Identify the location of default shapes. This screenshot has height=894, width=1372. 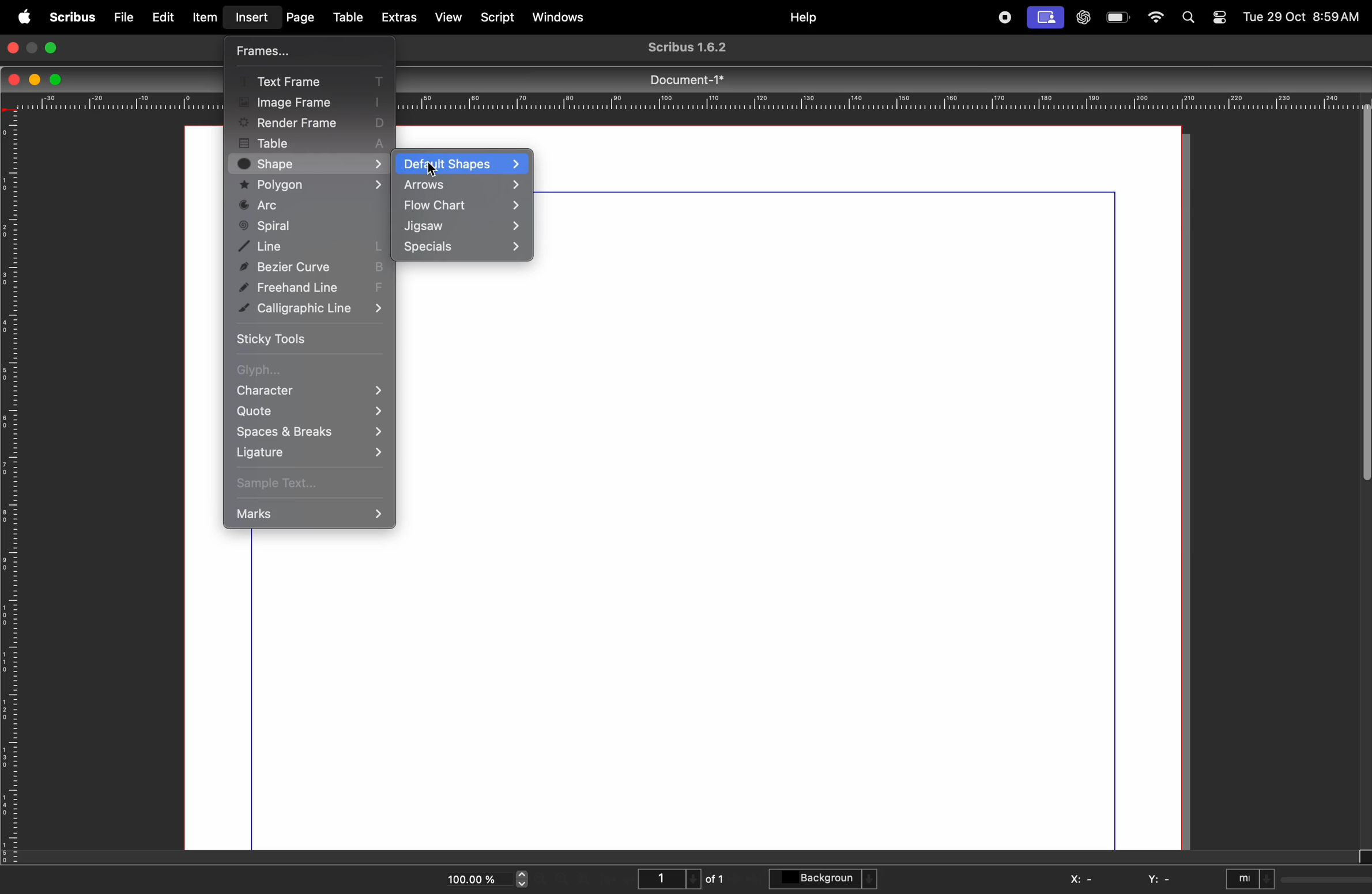
(462, 164).